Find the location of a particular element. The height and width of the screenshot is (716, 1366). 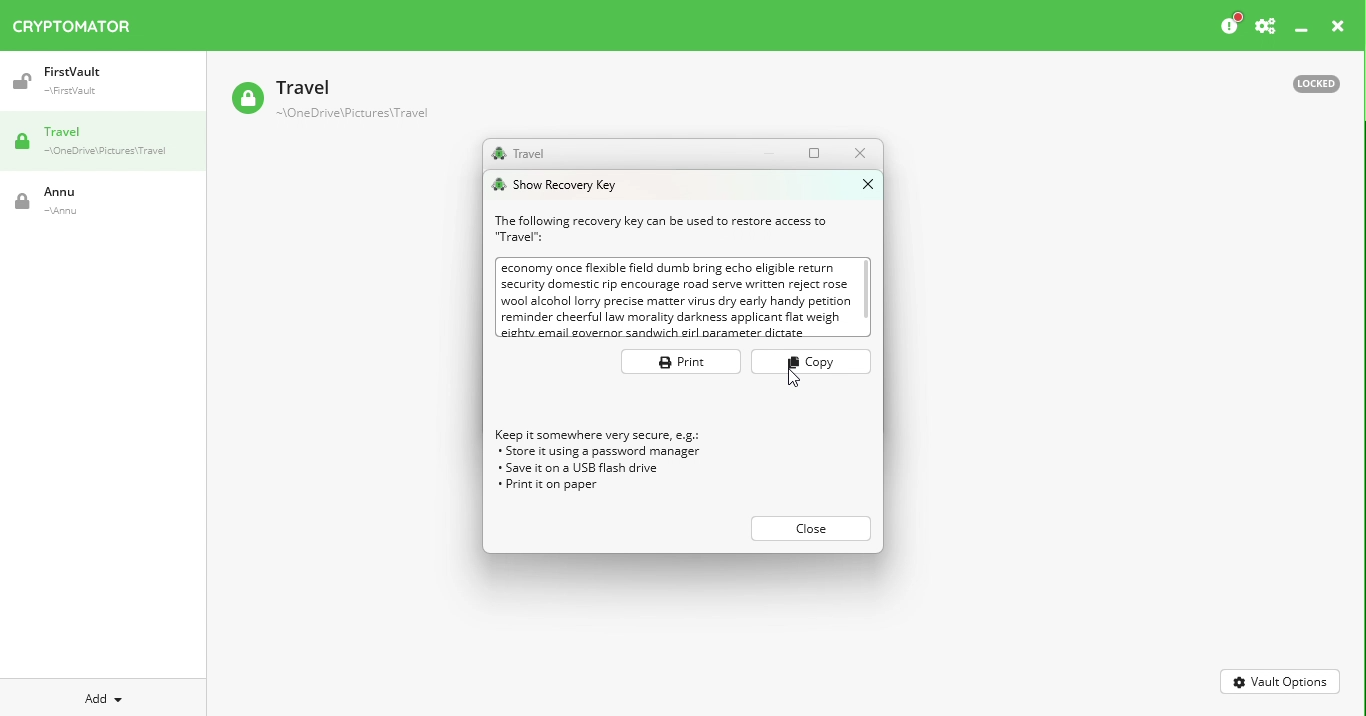

Cursor is located at coordinates (795, 380).